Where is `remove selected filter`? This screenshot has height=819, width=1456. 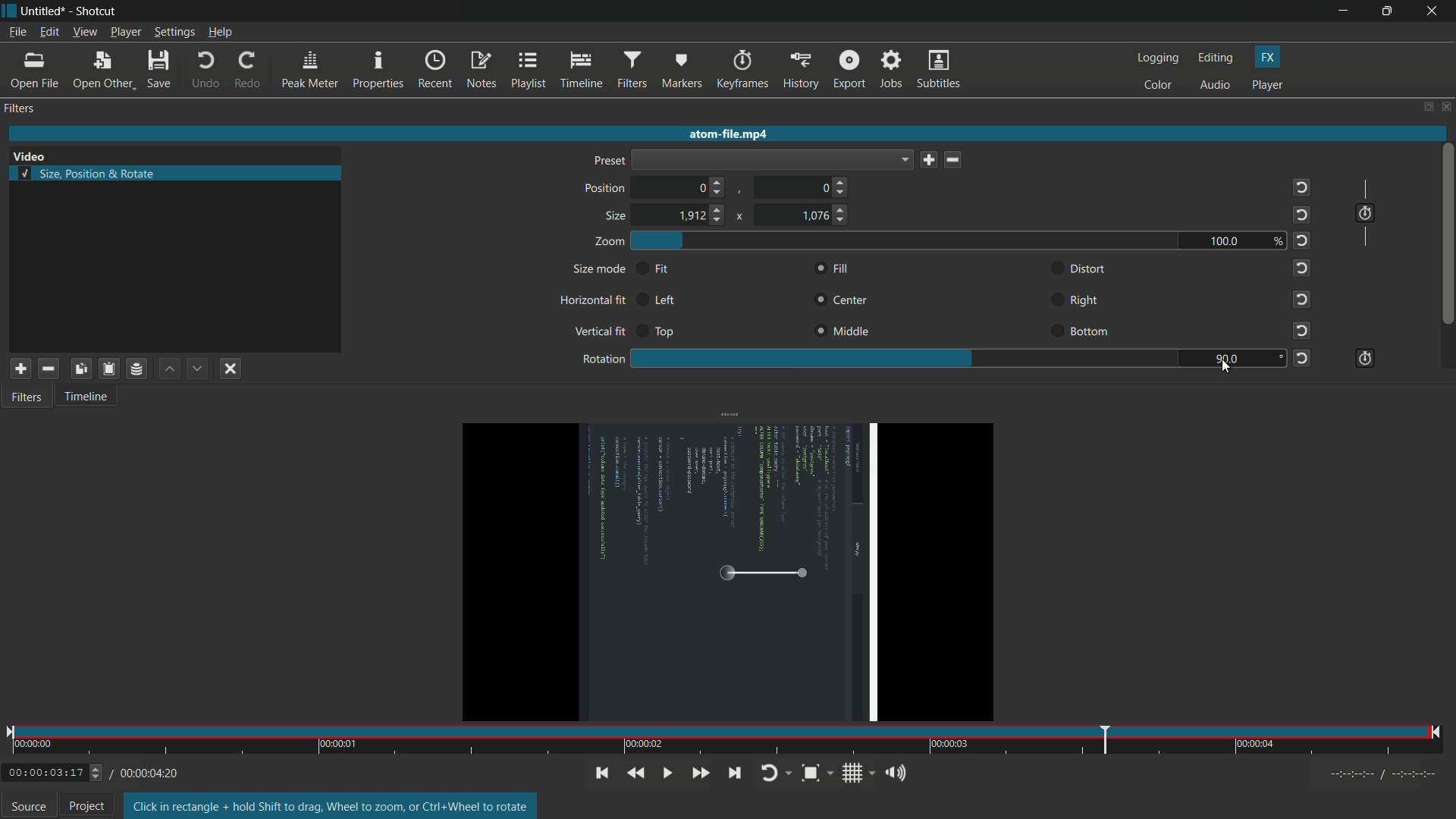 remove selected filter is located at coordinates (49, 368).